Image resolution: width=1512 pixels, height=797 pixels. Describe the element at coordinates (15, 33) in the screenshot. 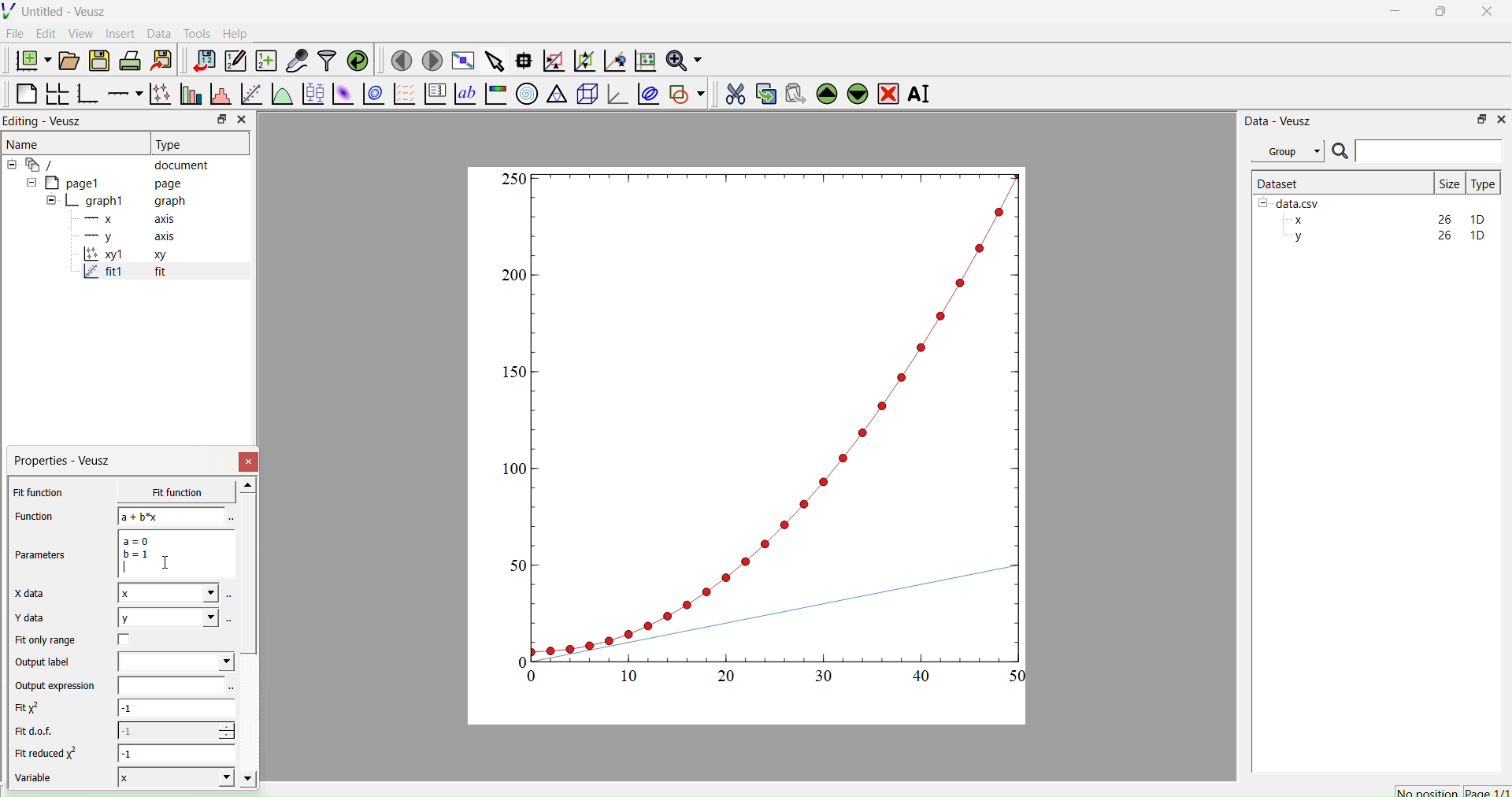

I see `File` at that location.